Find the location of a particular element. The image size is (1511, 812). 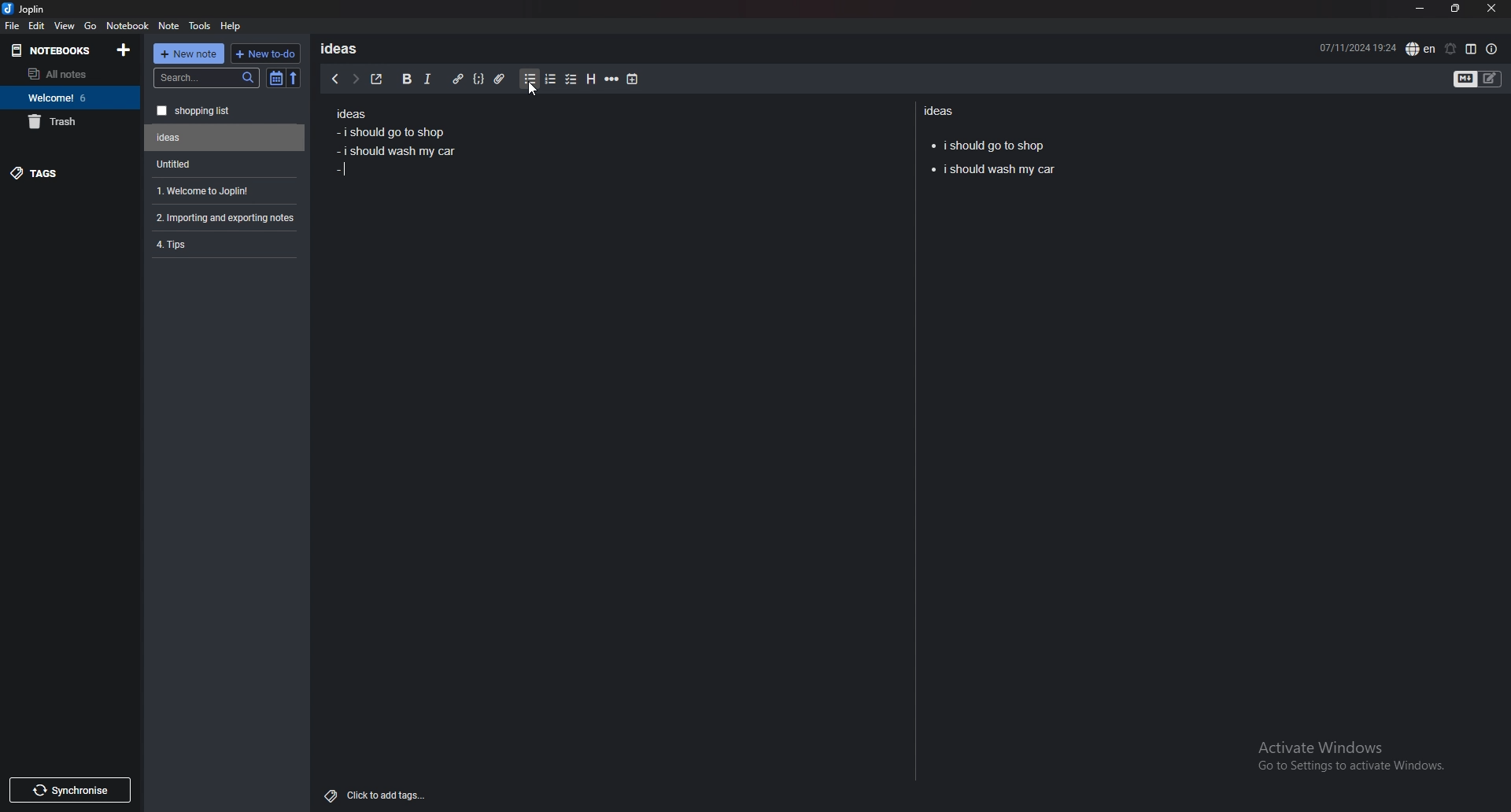

trash is located at coordinates (70, 121).